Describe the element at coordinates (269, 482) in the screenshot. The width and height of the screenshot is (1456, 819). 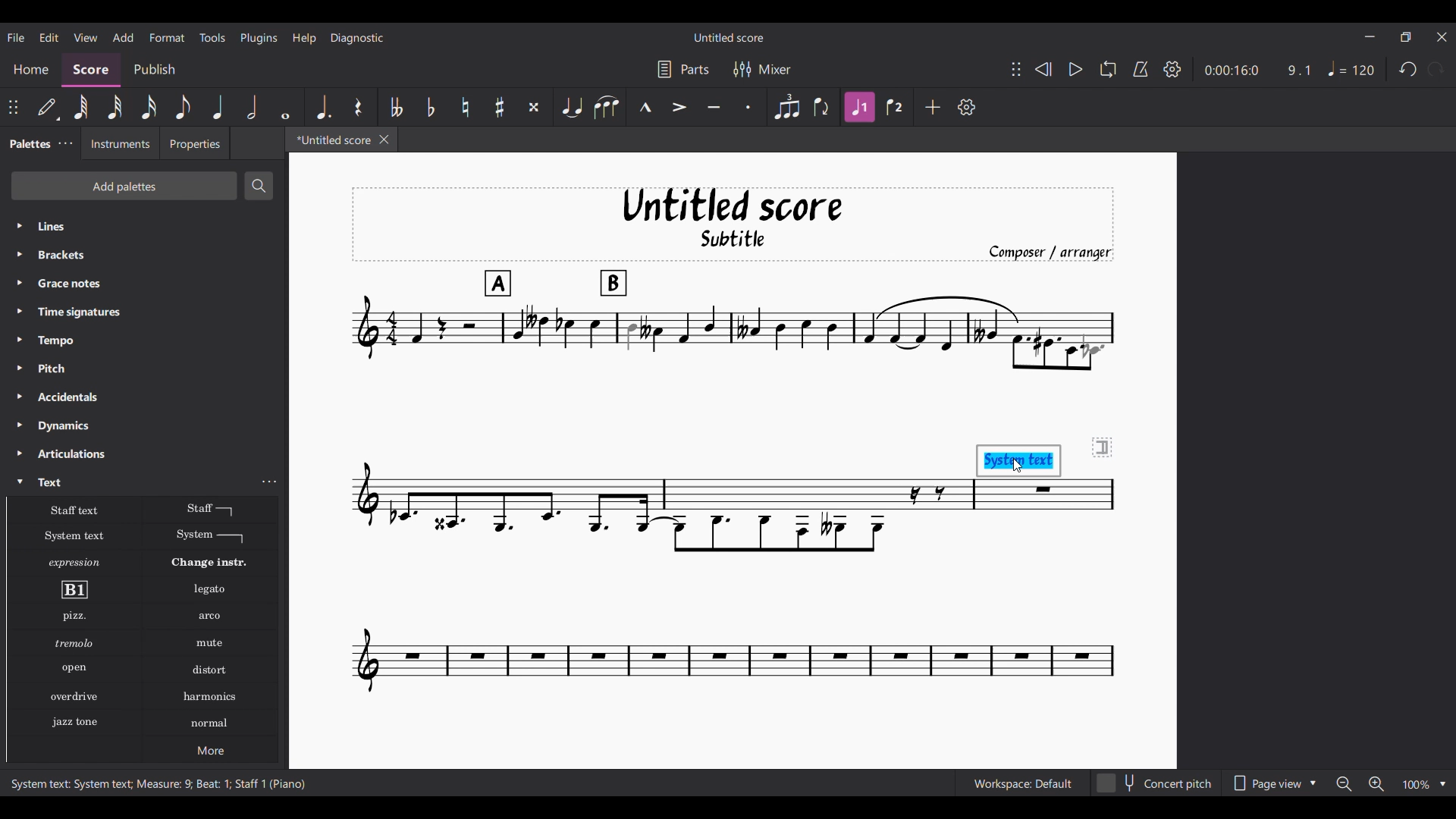
I see `Text settings` at that location.